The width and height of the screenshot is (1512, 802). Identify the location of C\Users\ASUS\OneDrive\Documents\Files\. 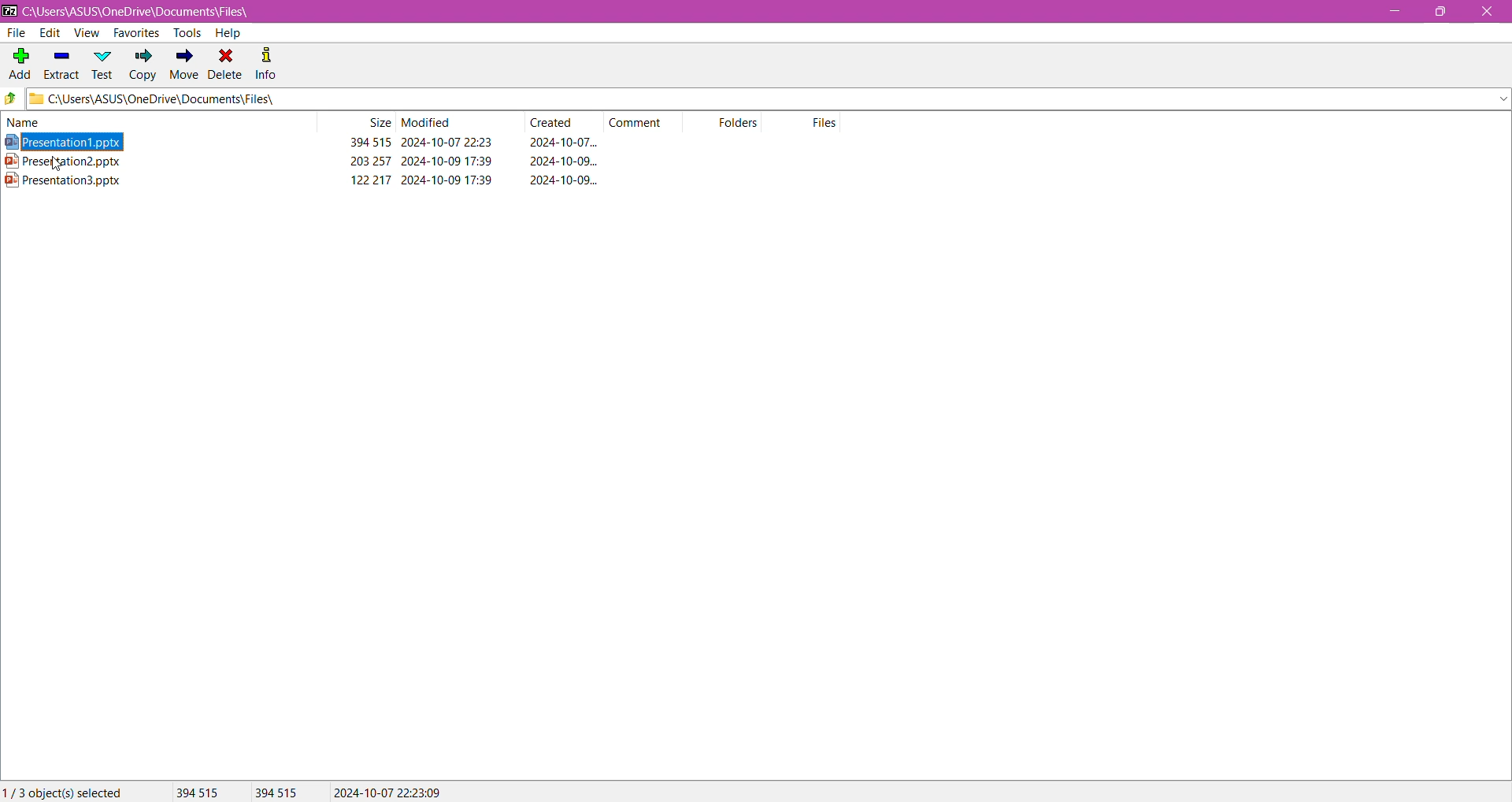
(180, 100).